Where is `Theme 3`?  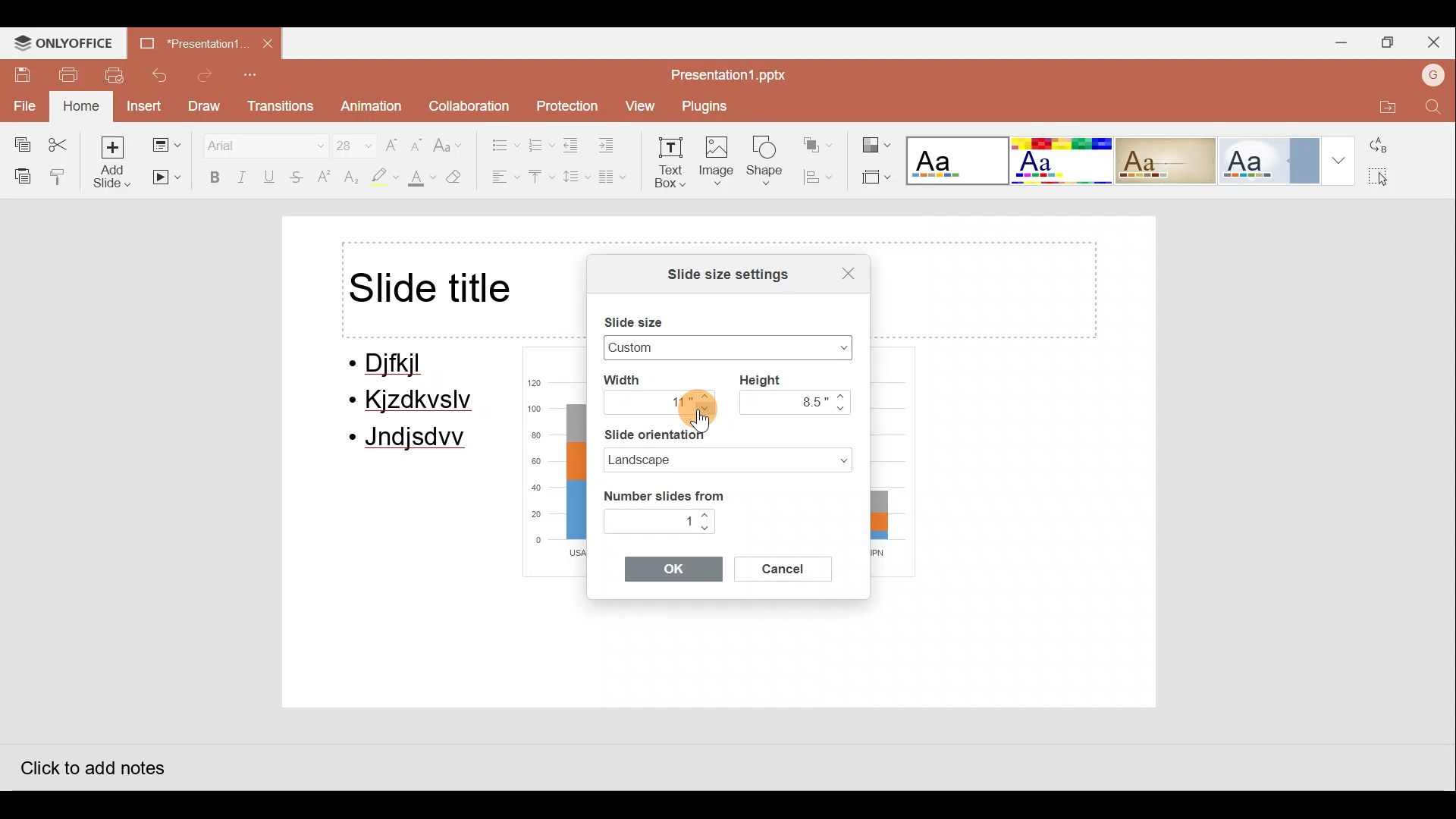
Theme 3 is located at coordinates (1175, 160).